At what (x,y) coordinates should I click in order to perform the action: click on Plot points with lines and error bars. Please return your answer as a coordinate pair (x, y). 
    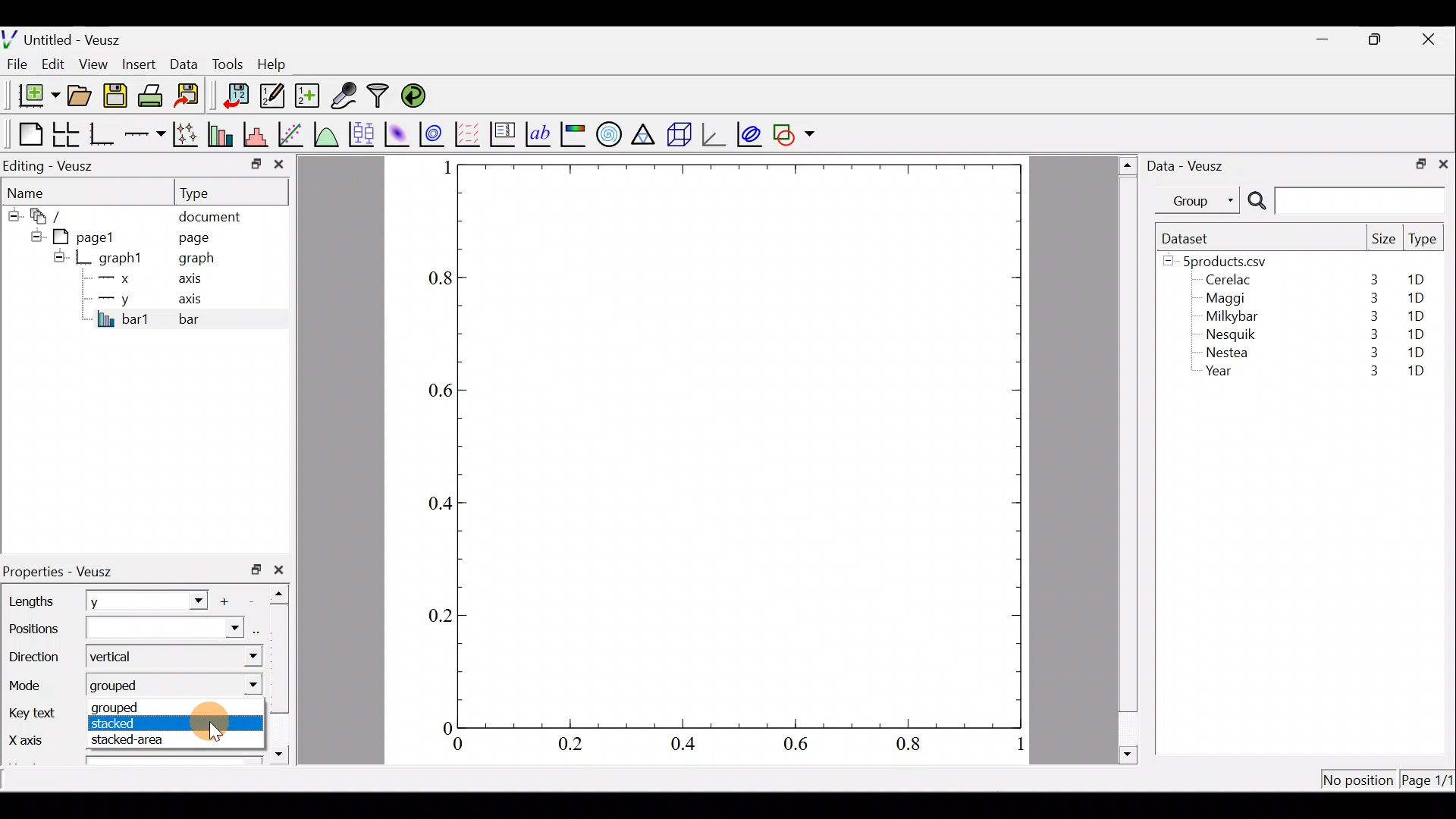
    Looking at the image, I should click on (188, 135).